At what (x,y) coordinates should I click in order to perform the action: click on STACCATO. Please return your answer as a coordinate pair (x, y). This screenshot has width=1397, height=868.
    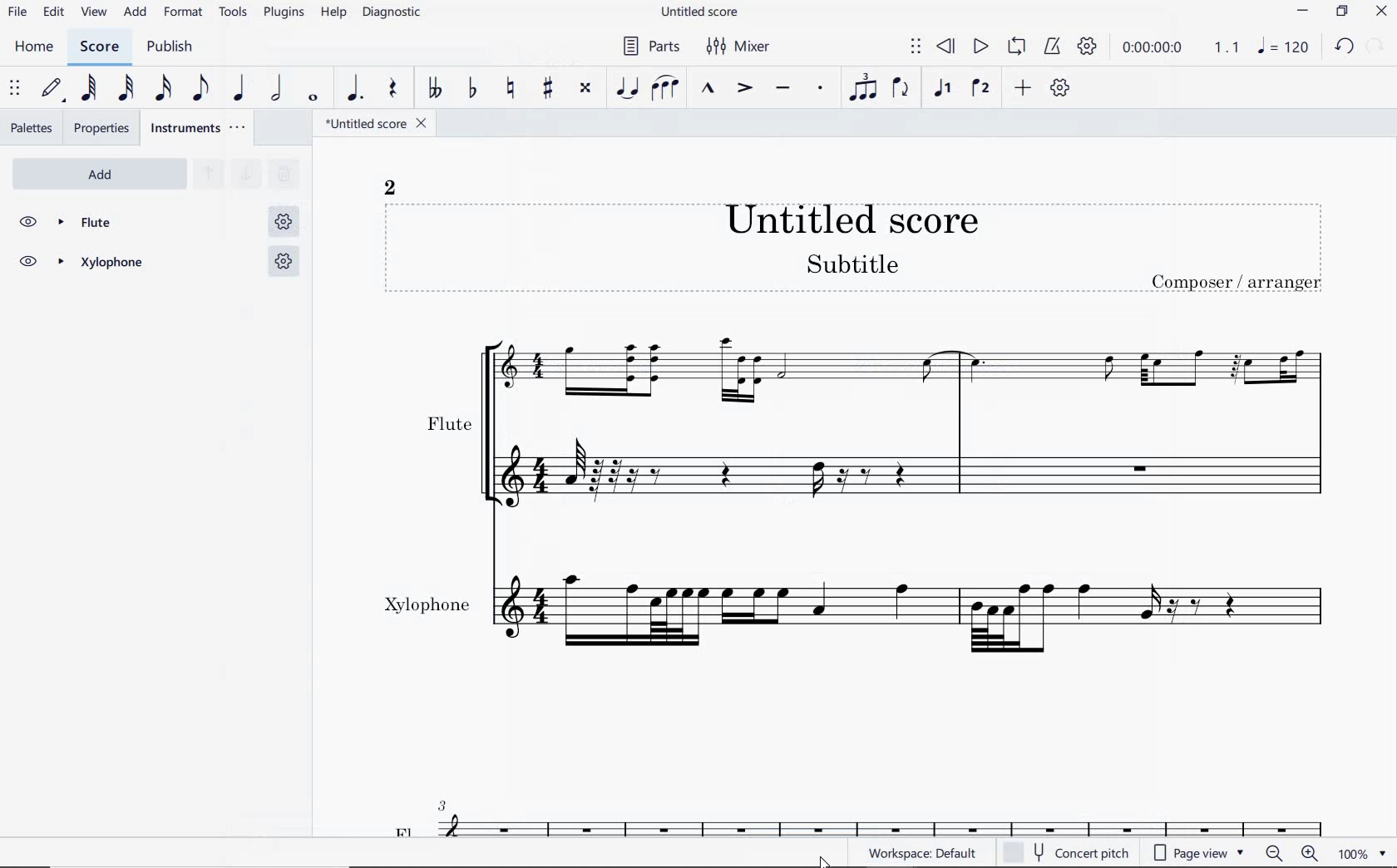
    Looking at the image, I should click on (820, 87).